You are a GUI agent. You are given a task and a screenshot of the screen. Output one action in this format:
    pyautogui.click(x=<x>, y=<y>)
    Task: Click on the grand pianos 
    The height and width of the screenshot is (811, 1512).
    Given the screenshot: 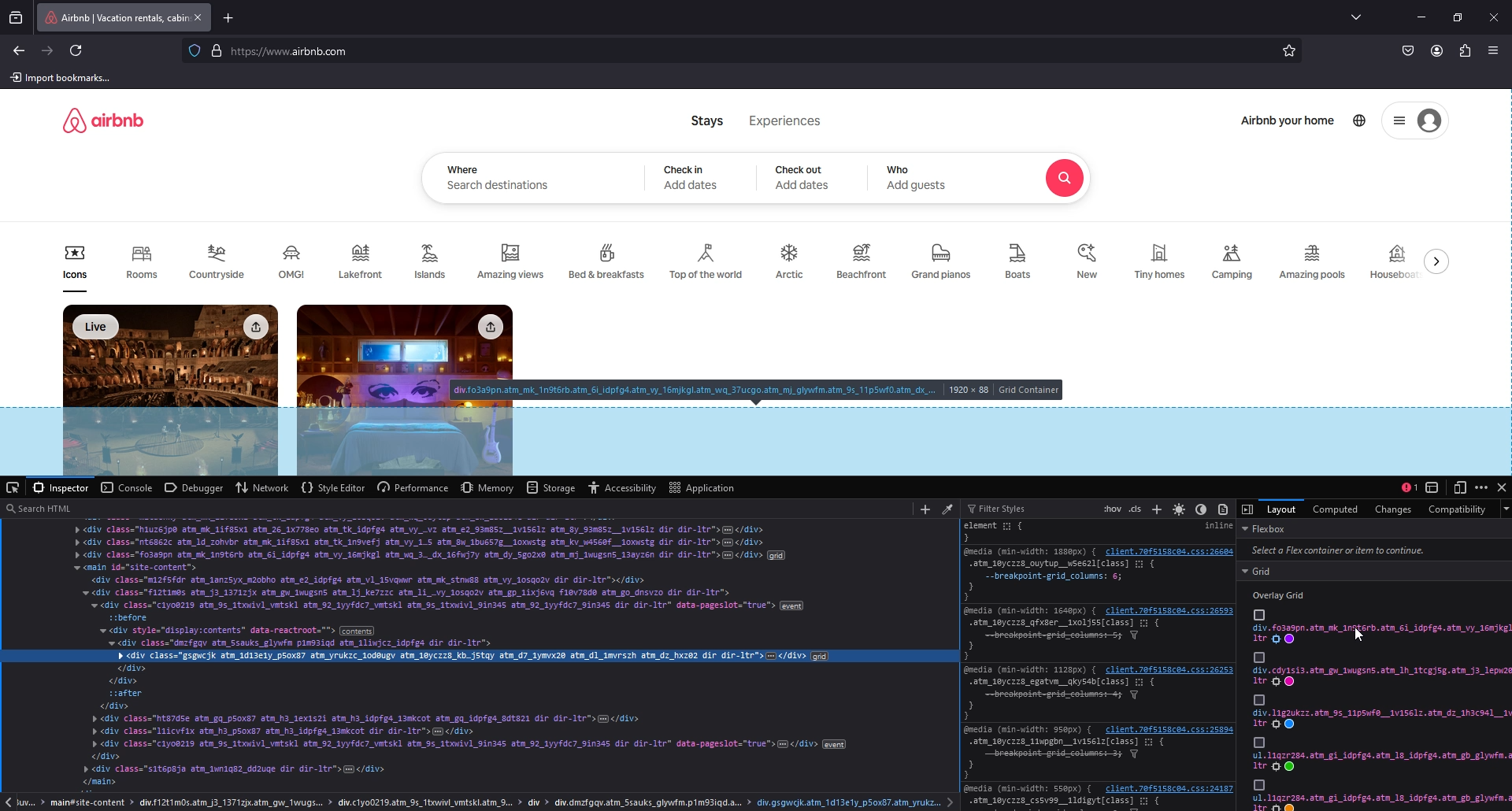 What is the action you would take?
    pyautogui.click(x=940, y=262)
    